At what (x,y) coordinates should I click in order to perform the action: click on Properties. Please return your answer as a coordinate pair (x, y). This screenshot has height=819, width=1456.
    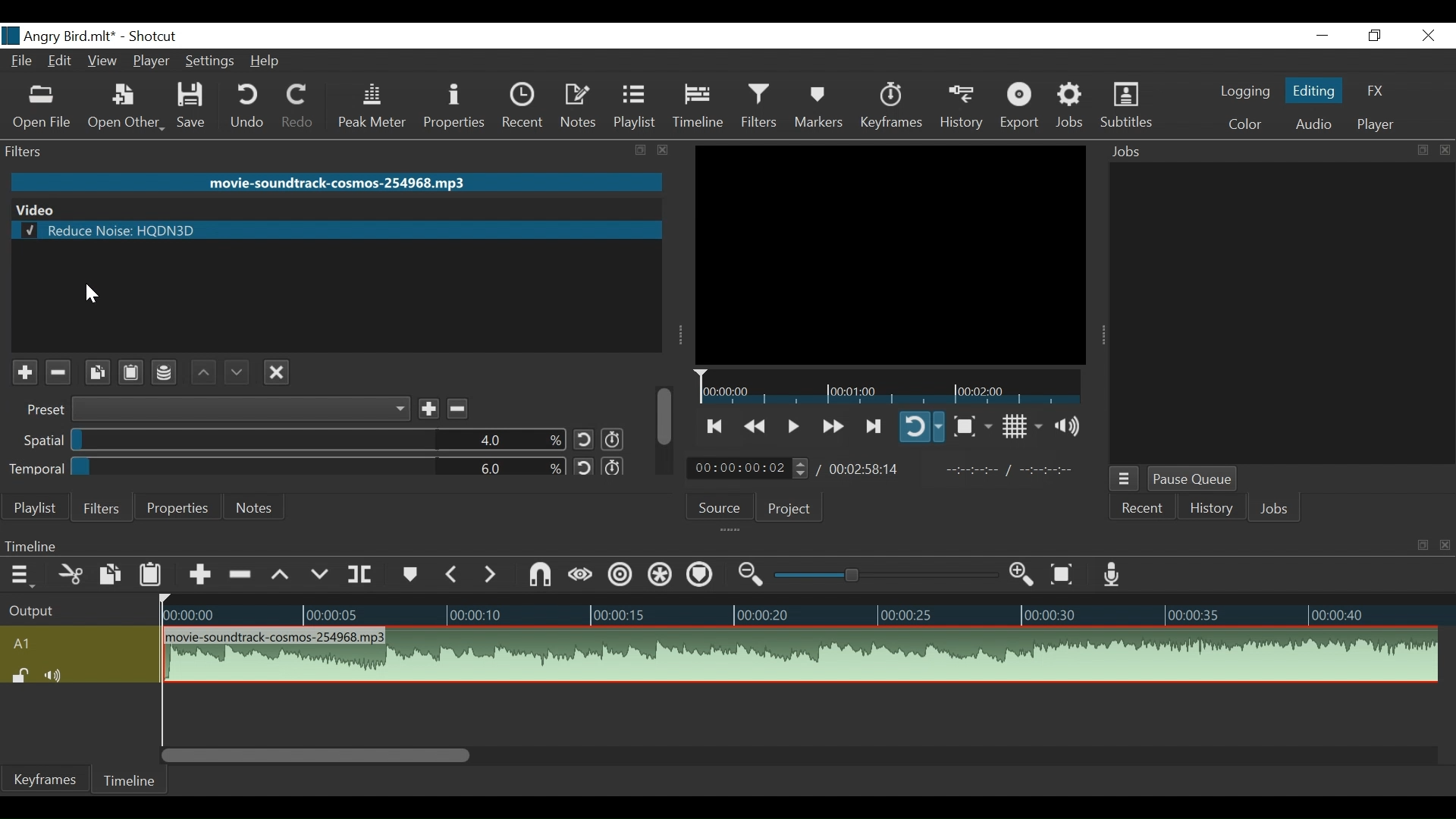
    Looking at the image, I should click on (457, 105).